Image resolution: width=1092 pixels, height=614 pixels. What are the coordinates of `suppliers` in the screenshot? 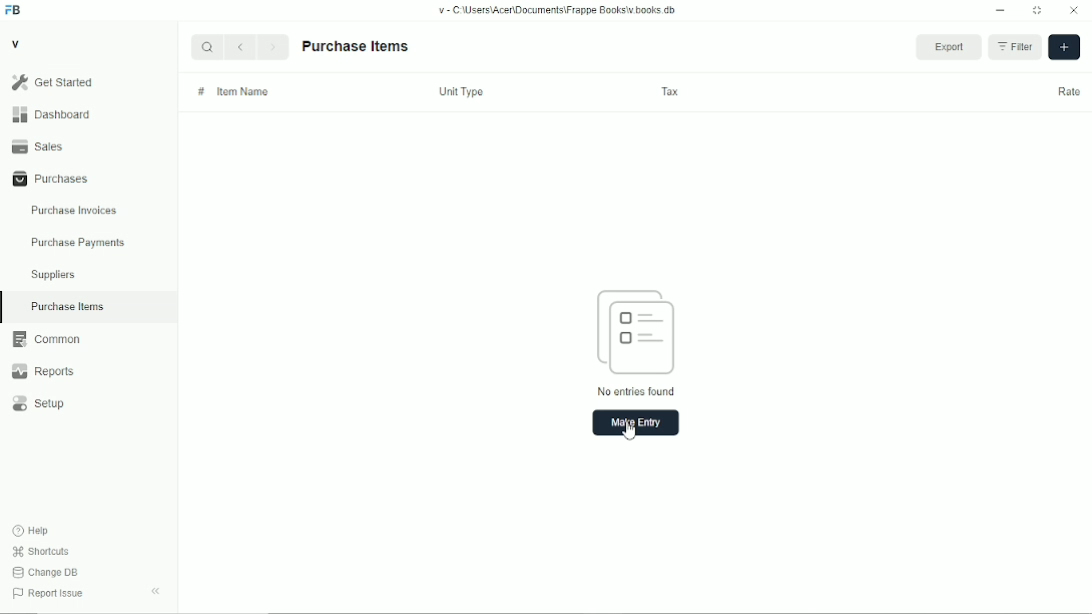 It's located at (53, 275).